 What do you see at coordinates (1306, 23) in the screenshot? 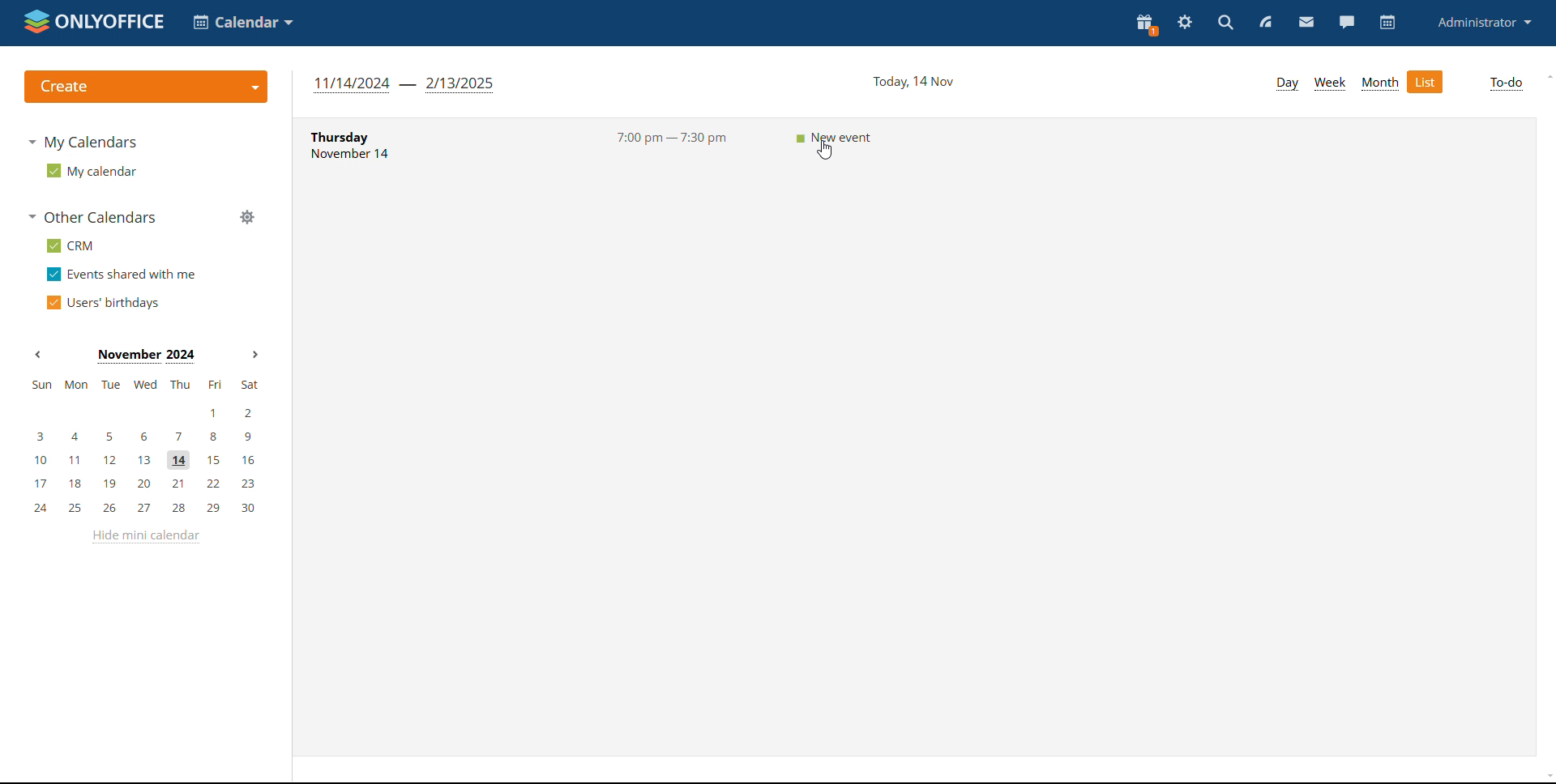
I see `mail` at bounding box center [1306, 23].